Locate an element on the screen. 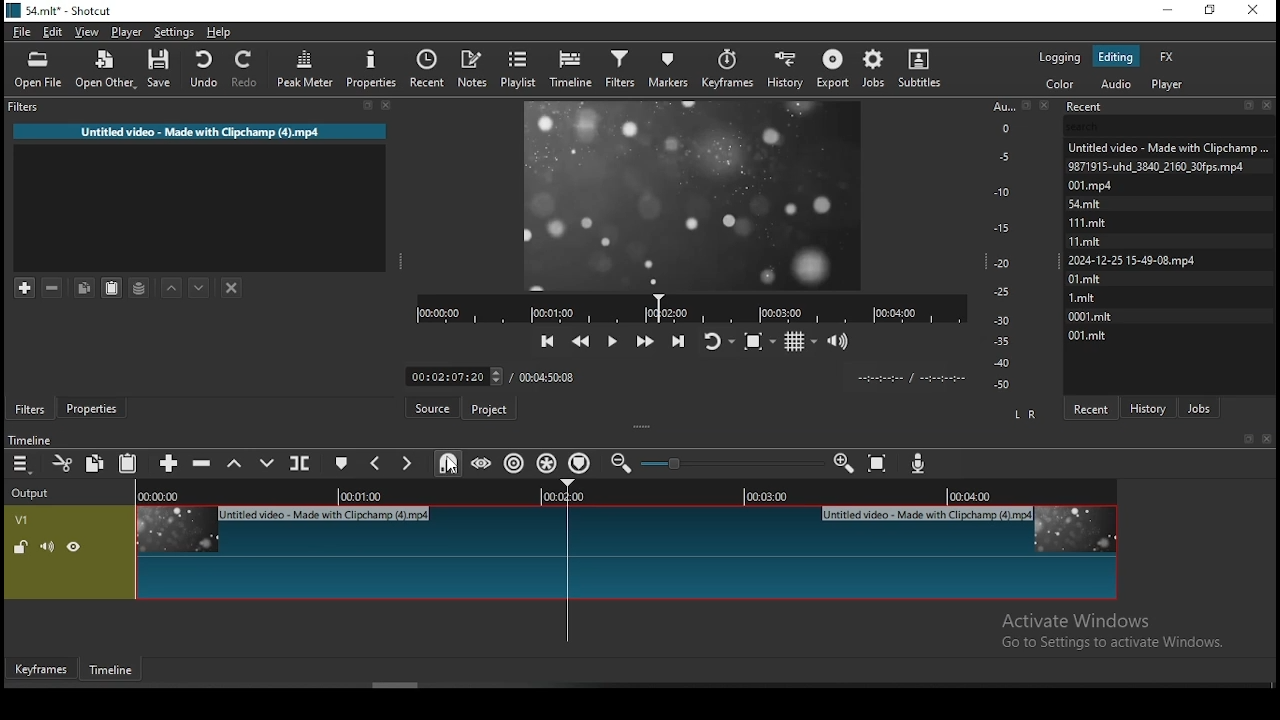  file is located at coordinates (23, 32).